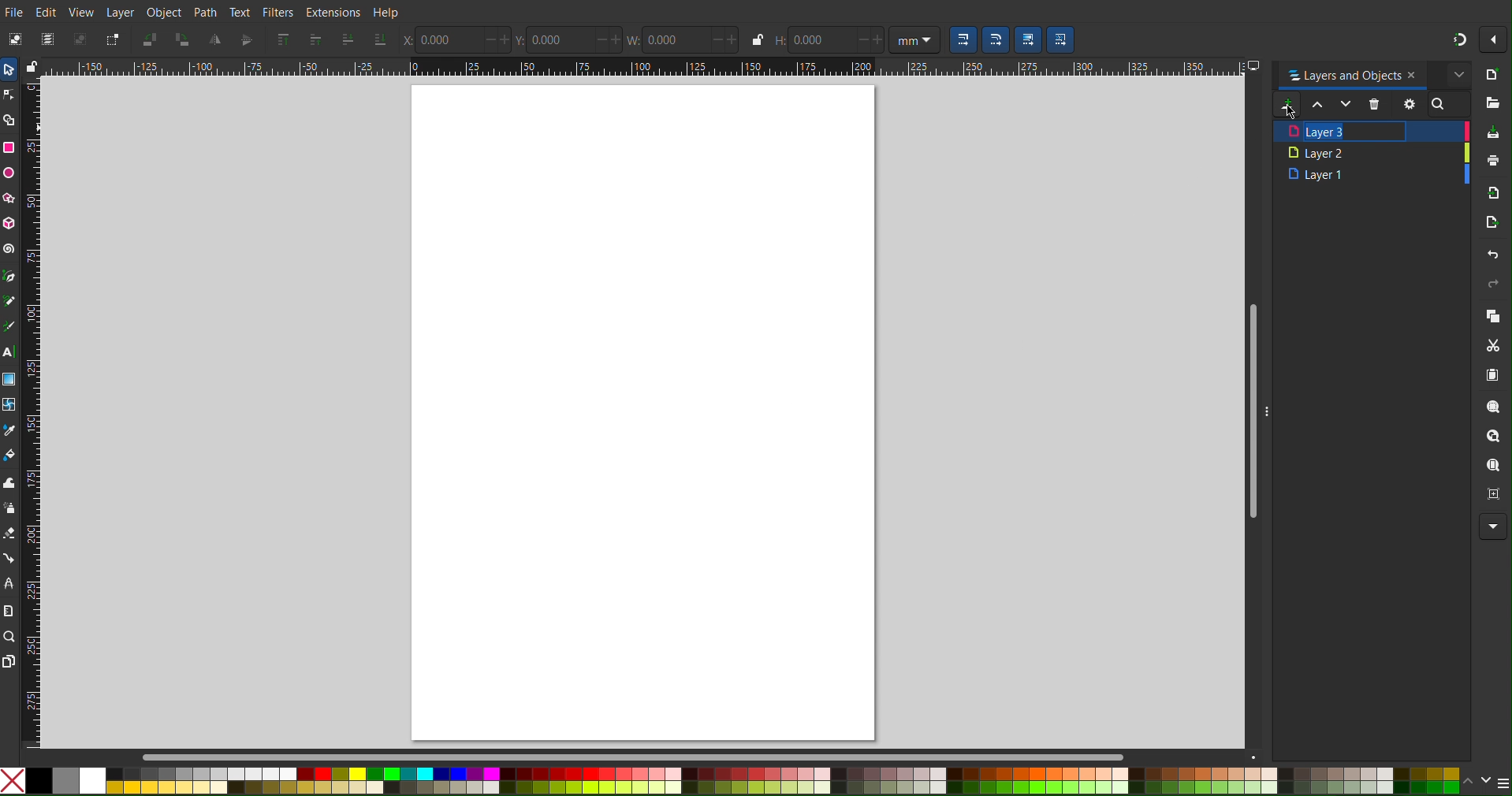  Describe the element at coordinates (1490, 493) in the screenshot. I see `Zoom Centre Page` at that location.